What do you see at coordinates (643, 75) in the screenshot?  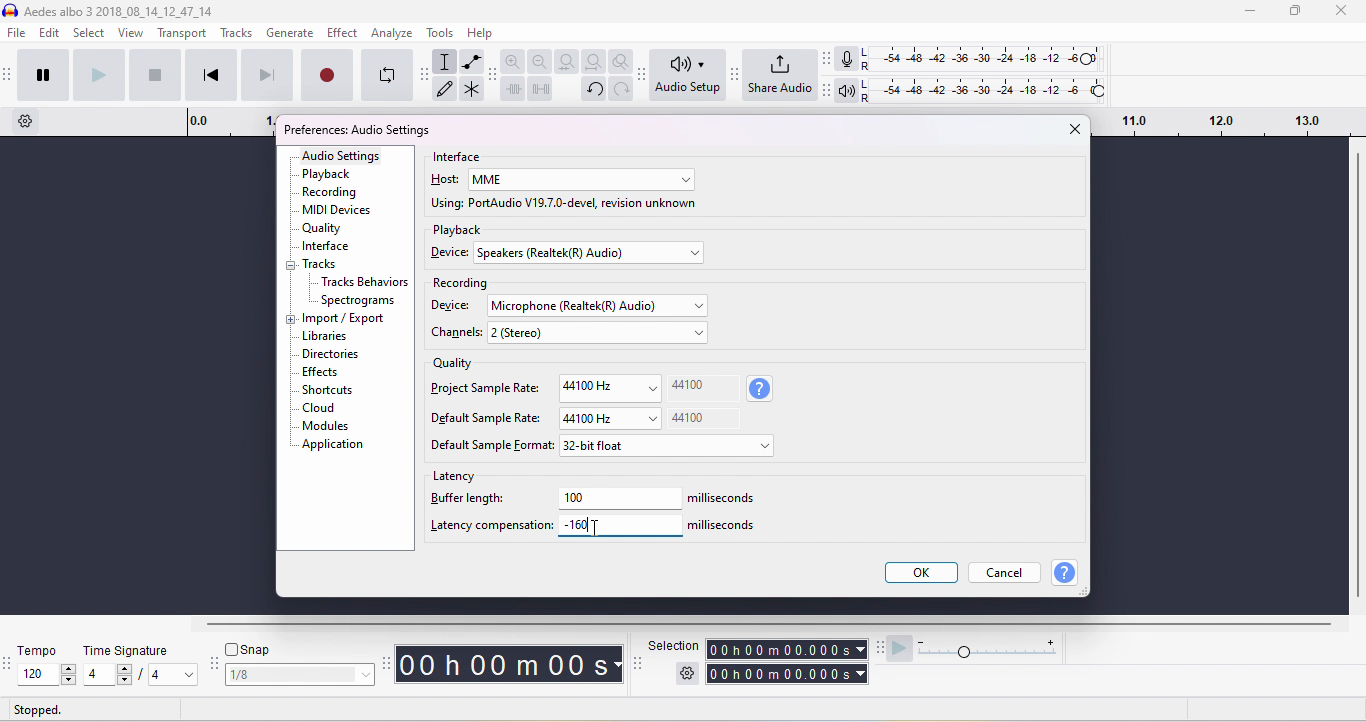 I see `Audacity audio setup toolbar` at bounding box center [643, 75].